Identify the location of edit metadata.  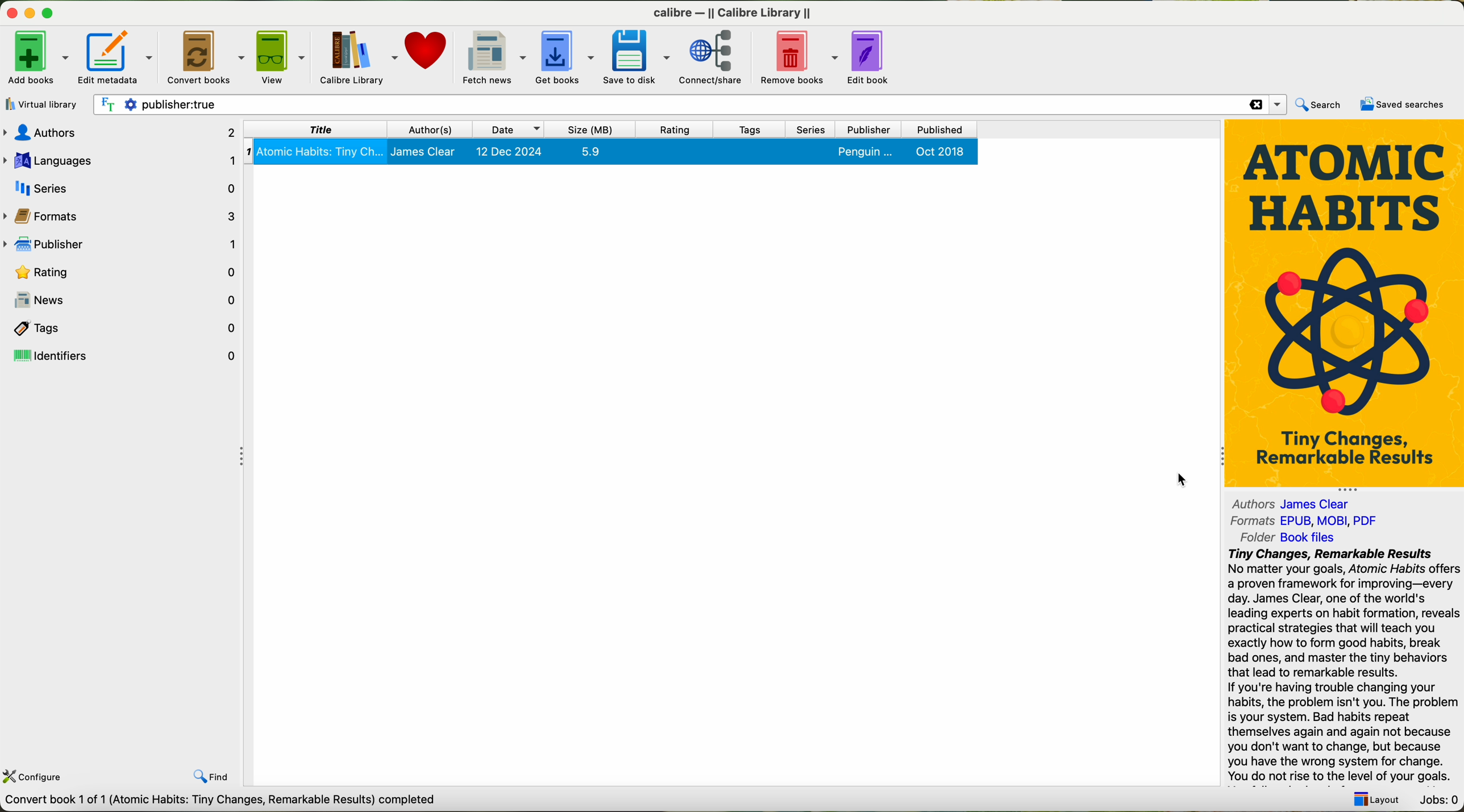
(115, 57).